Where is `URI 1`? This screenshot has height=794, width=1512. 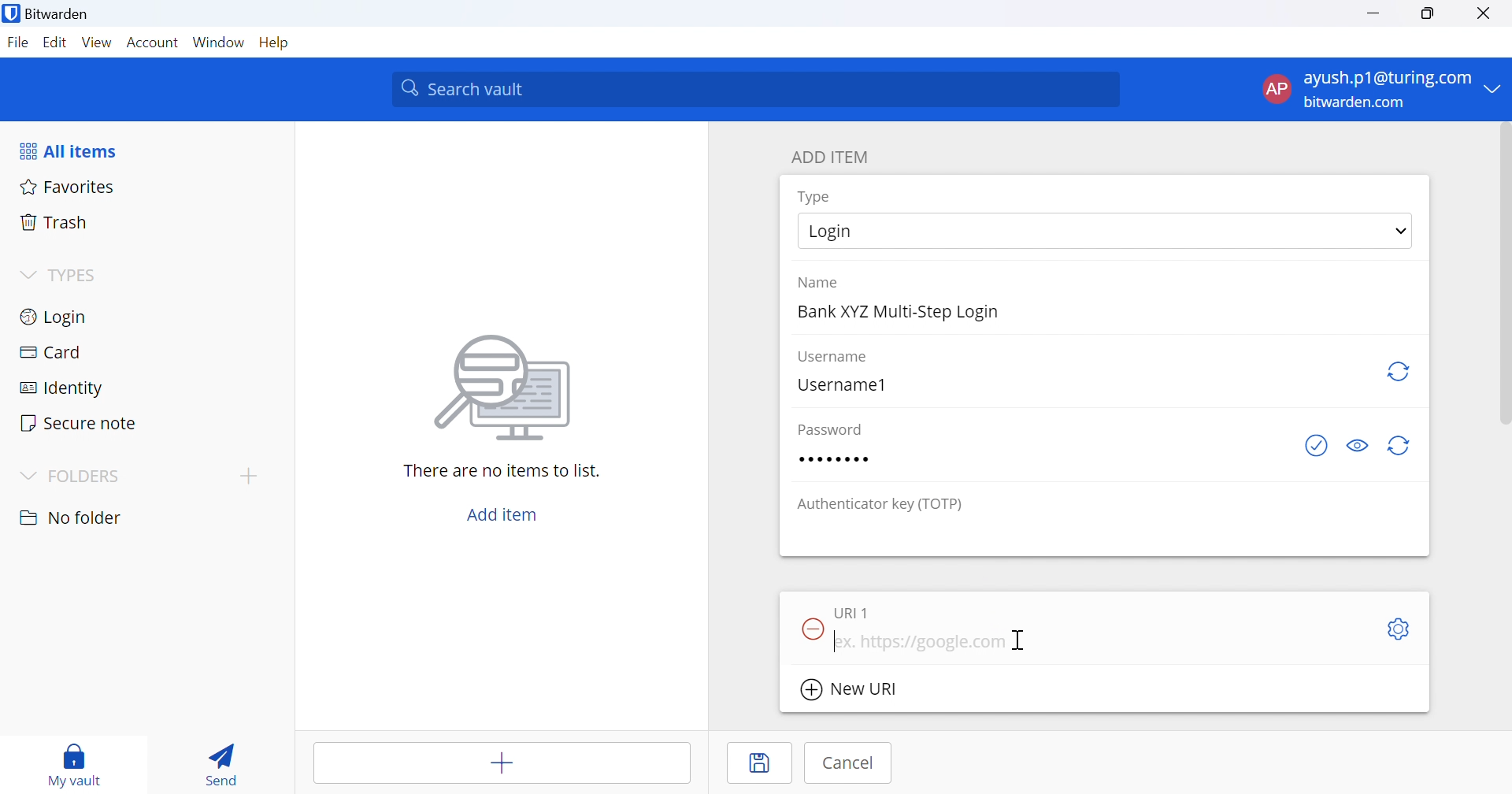
URI 1 is located at coordinates (854, 610).